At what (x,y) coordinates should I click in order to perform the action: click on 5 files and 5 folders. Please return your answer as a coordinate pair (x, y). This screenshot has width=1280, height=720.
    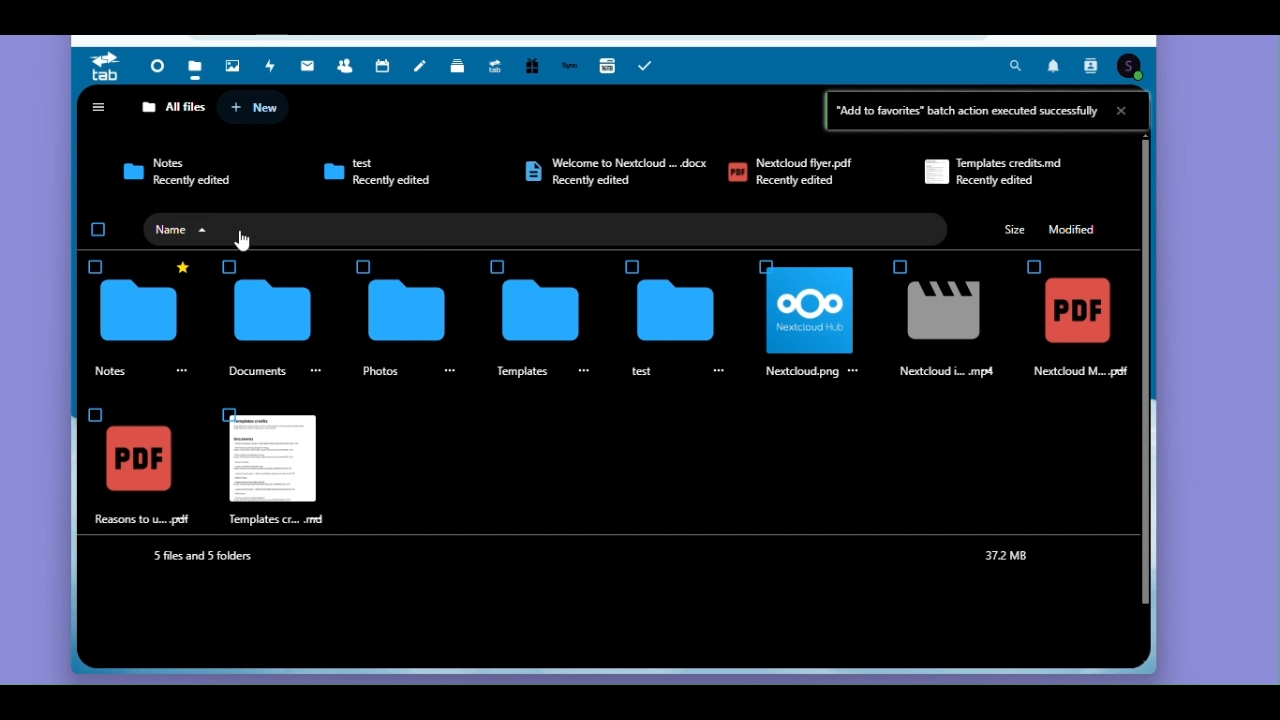
    Looking at the image, I should click on (206, 555).